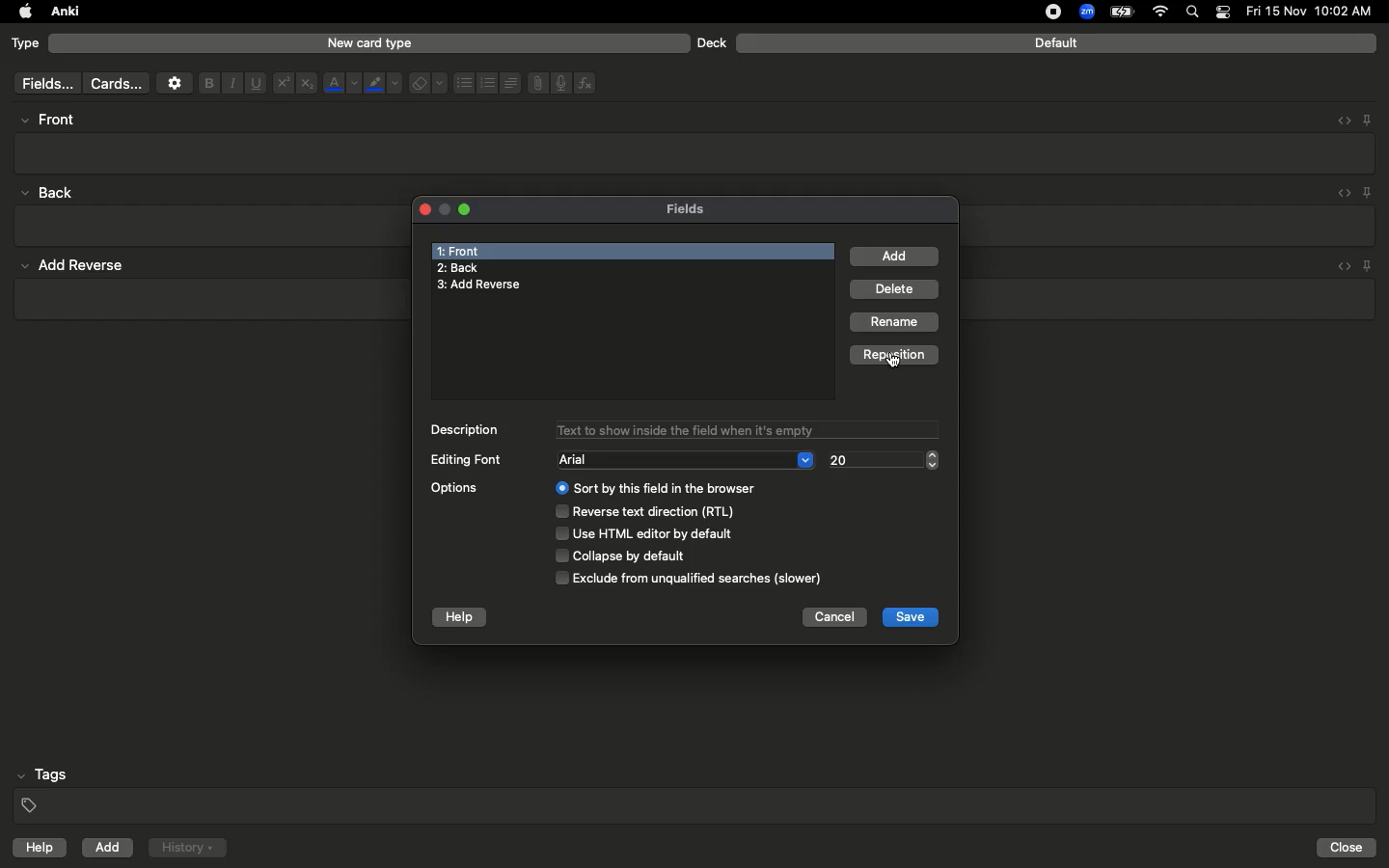 The width and height of the screenshot is (1389, 868). What do you see at coordinates (459, 615) in the screenshot?
I see `Help` at bounding box center [459, 615].